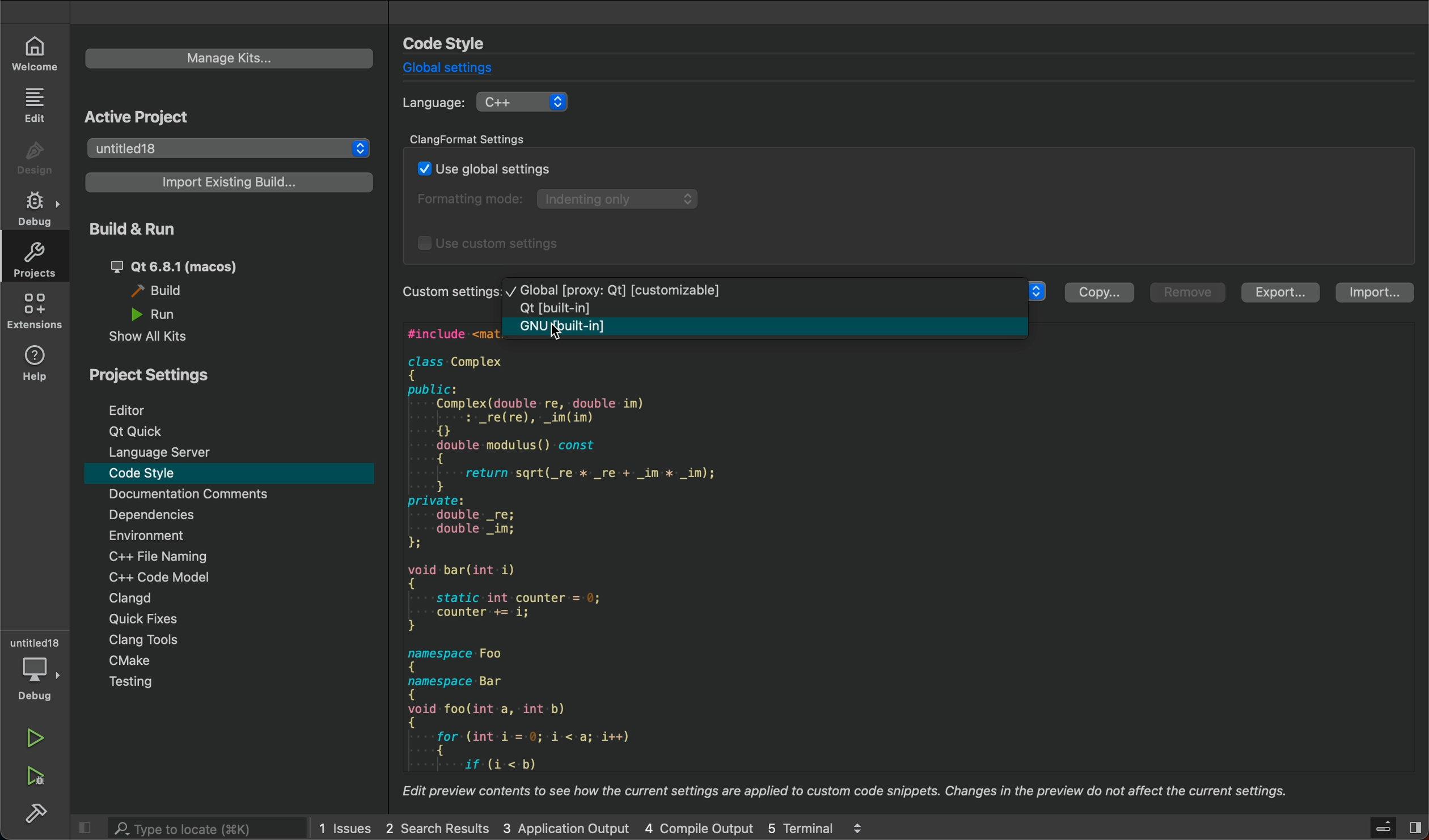  What do you see at coordinates (619, 289) in the screenshot?
I see `global [proxy: Qt] [customizable]` at bounding box center [619, 289].